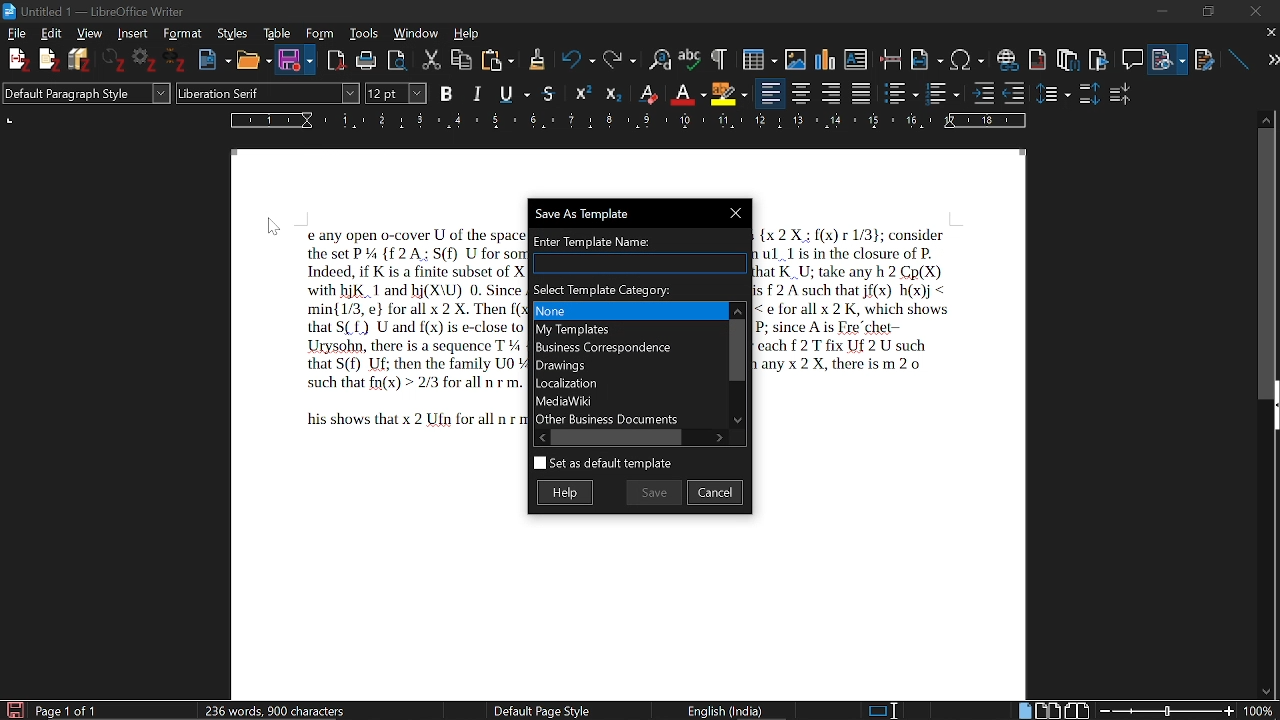  I want to click on Strike through, so click(550, 93).